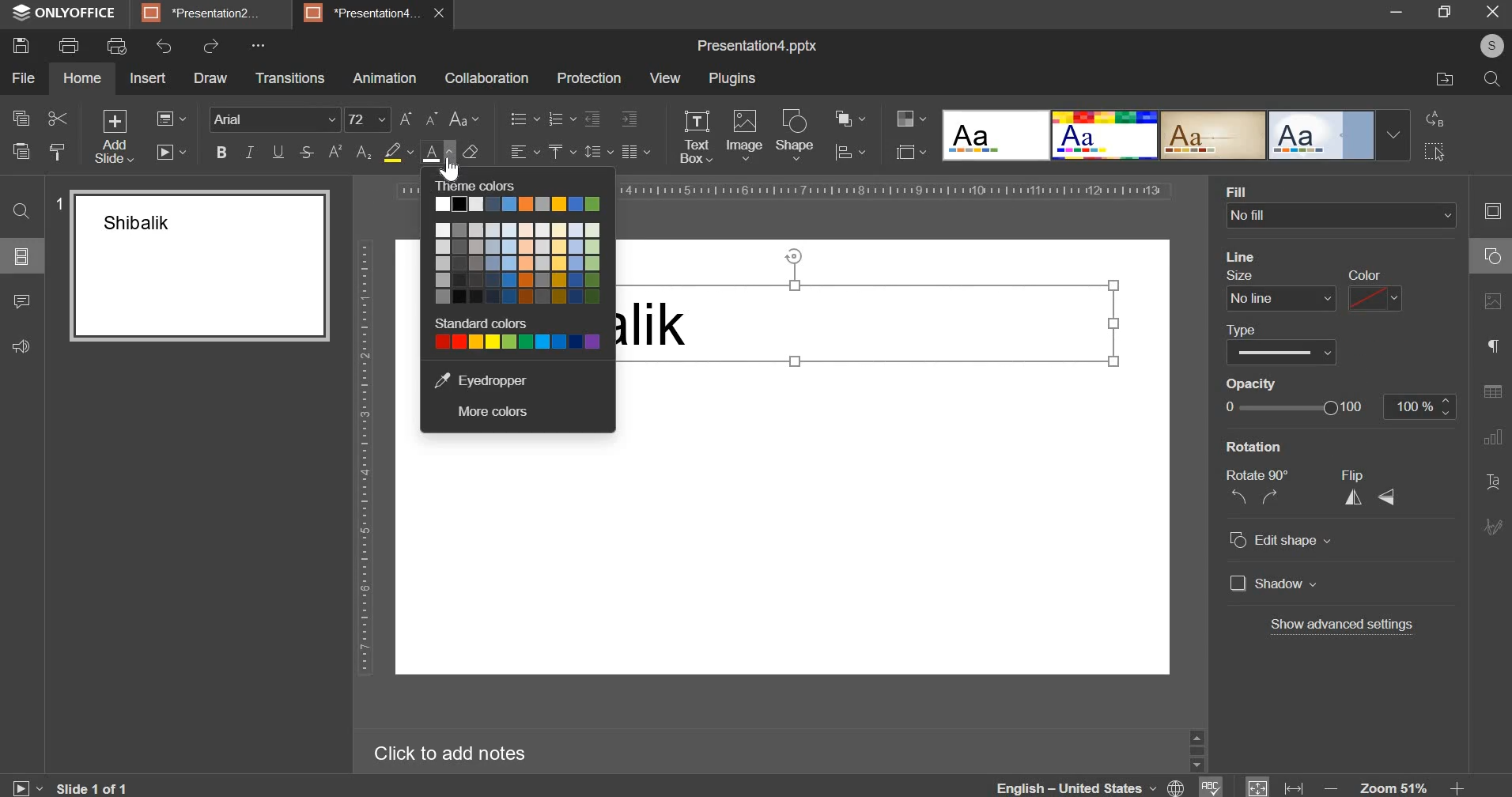  What do you see at coordinates (1280, 541) in the screenshot?
I see `edit shape` at bounding box center [1280, 541].